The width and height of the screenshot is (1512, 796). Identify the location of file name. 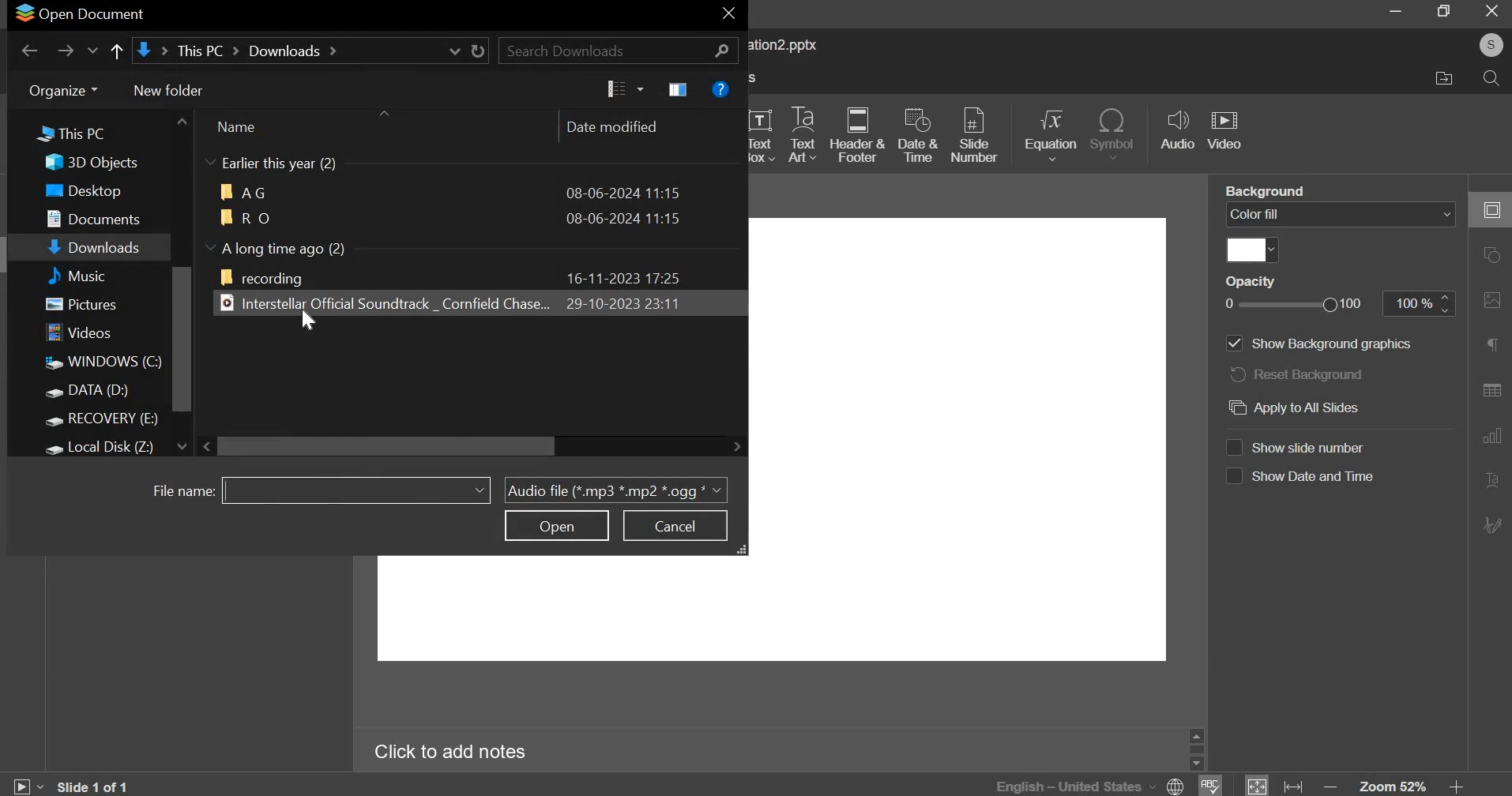
(356, 489).